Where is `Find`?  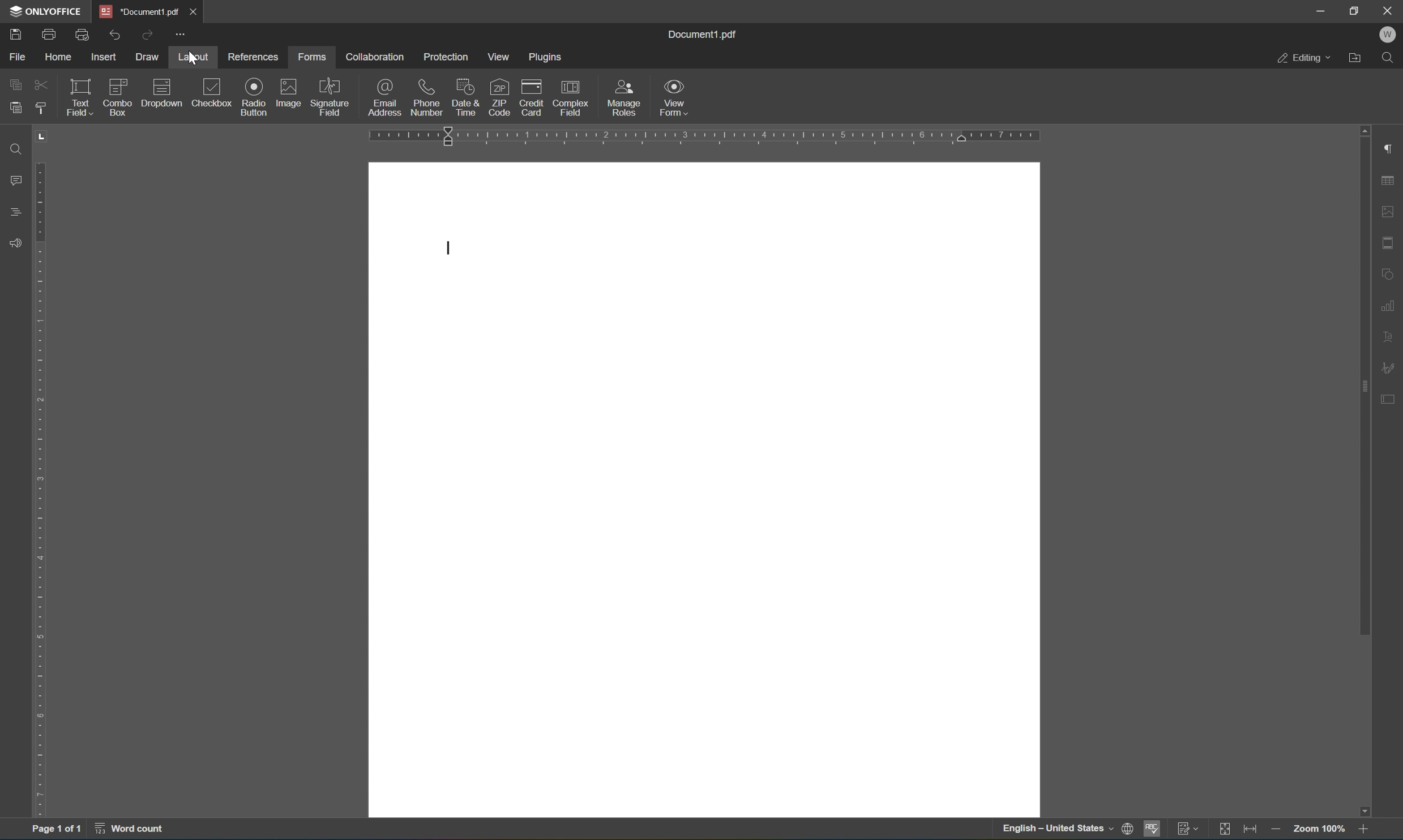 Find is located at coordinates (13, 148).